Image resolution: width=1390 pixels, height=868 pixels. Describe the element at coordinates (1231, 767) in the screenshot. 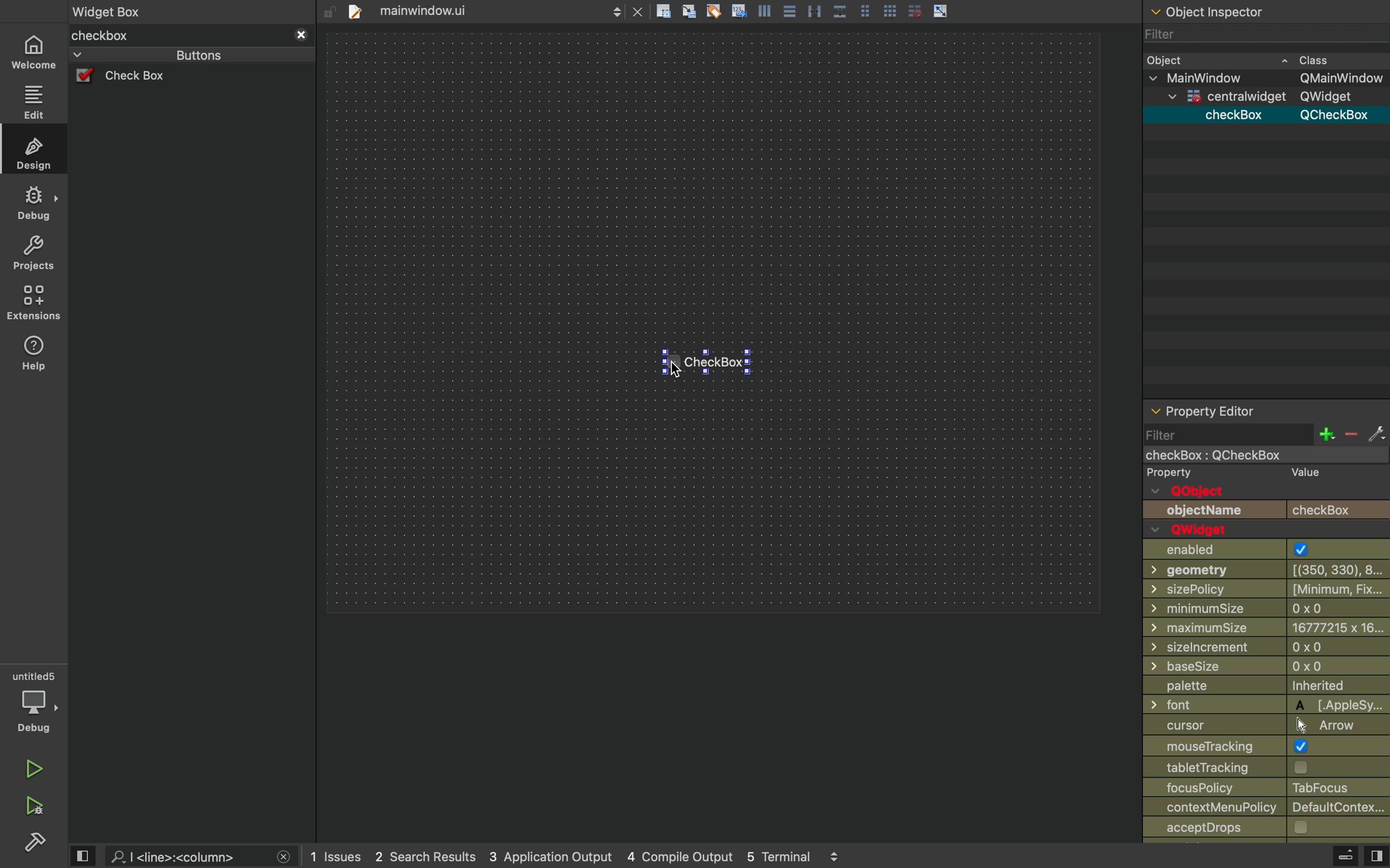

I see `table tracking` at that location.